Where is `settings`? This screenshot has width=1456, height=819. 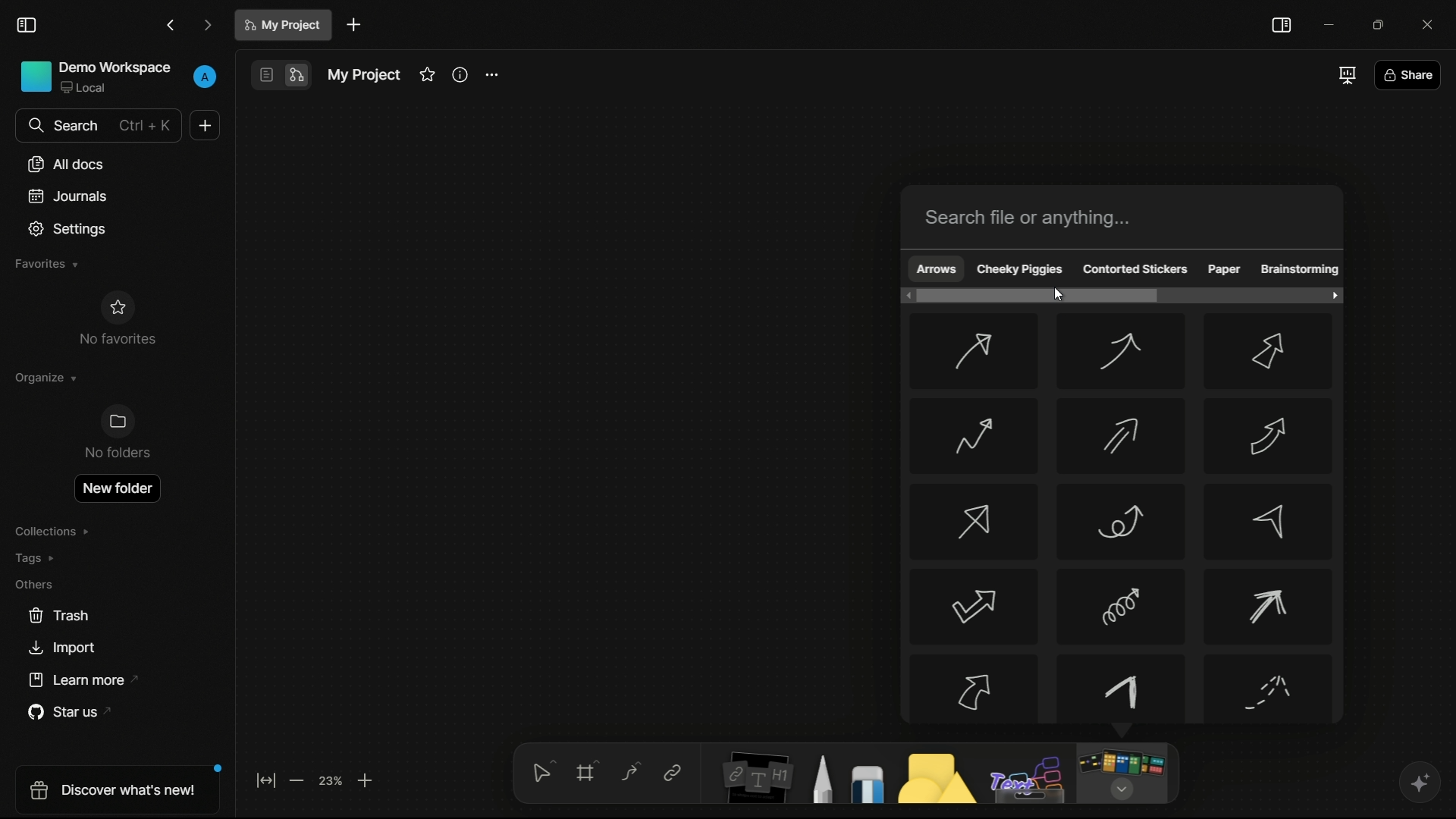
settings is located at coordinates (68, 229).